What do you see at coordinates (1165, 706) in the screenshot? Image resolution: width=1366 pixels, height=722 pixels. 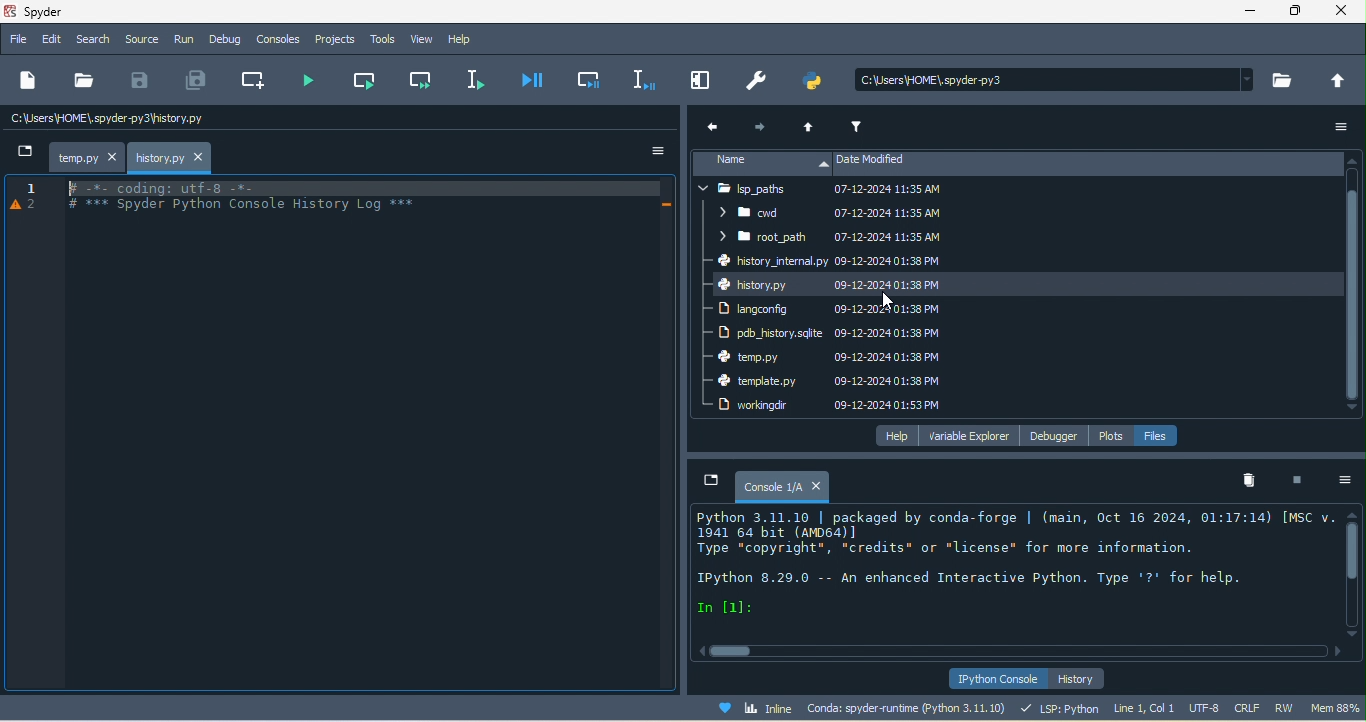 I see `line 1, col 1 utf 8` at bounding box center [1165, 706].